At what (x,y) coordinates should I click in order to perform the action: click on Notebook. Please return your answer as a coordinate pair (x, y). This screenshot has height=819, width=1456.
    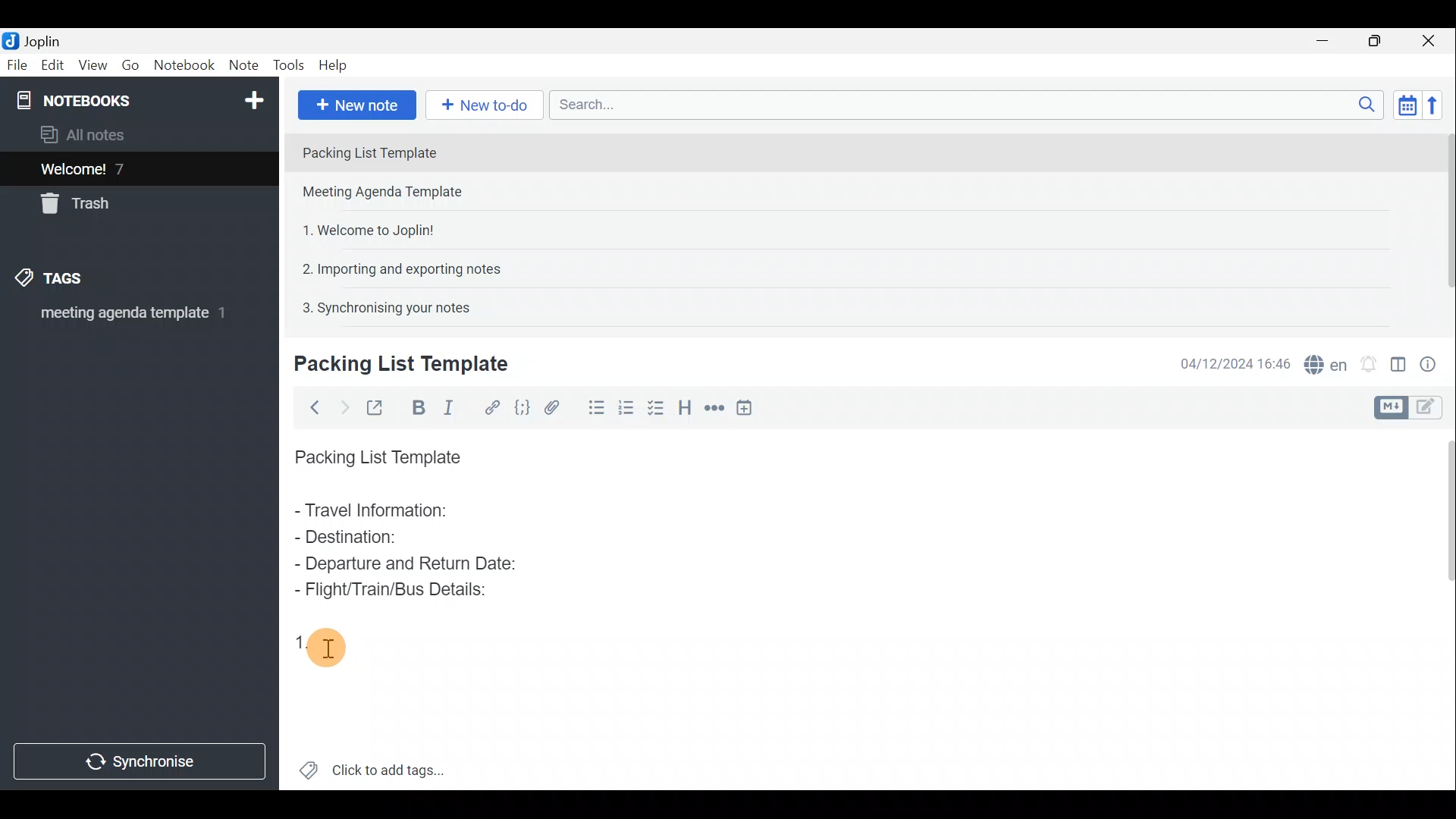
    Looking at the image, I should click on (137, 99).